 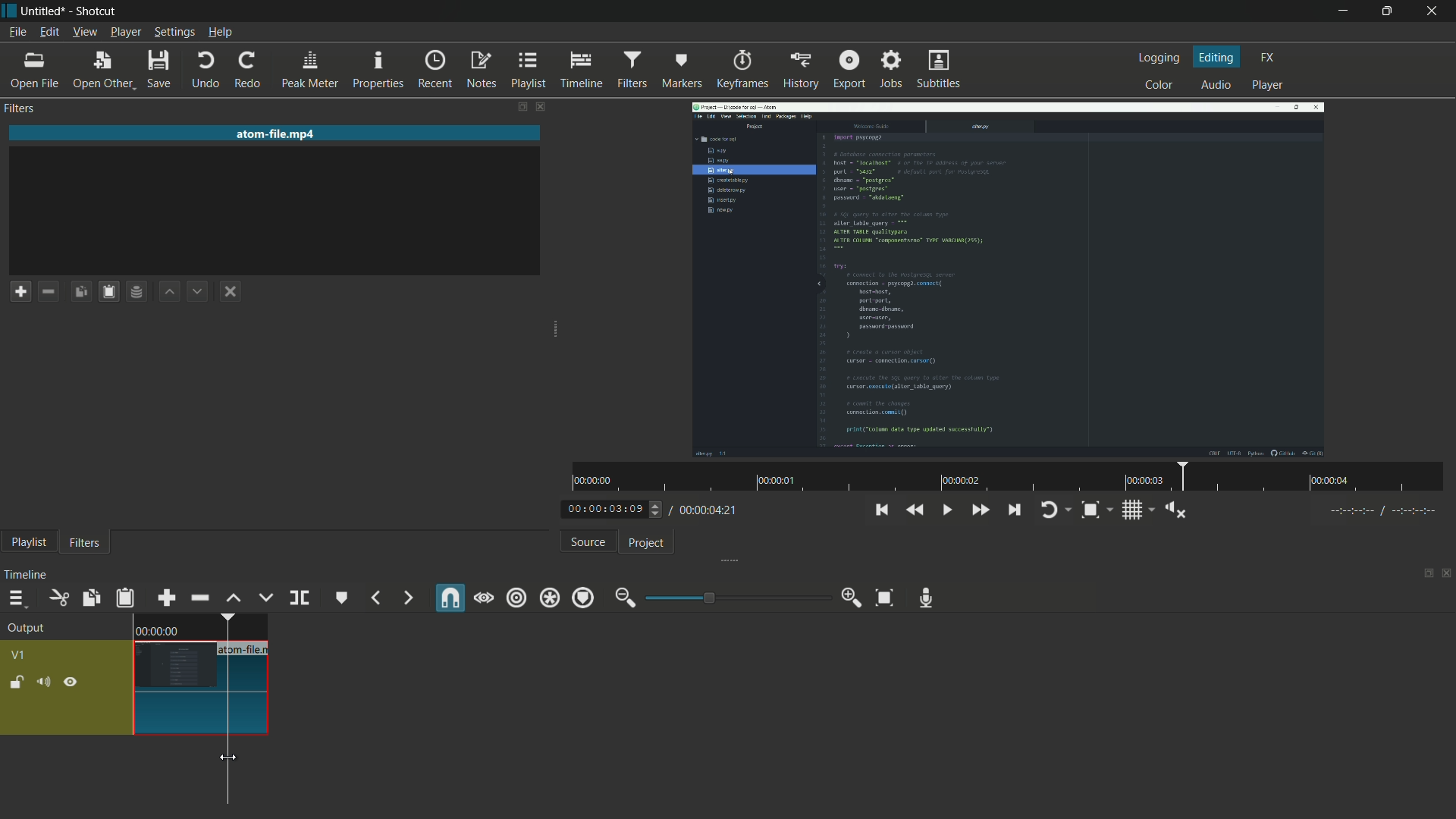 What do you see at coordinates (1048, 510) in the screenshot?
I see `toggle player looping` at bounding box center [1048, 510].